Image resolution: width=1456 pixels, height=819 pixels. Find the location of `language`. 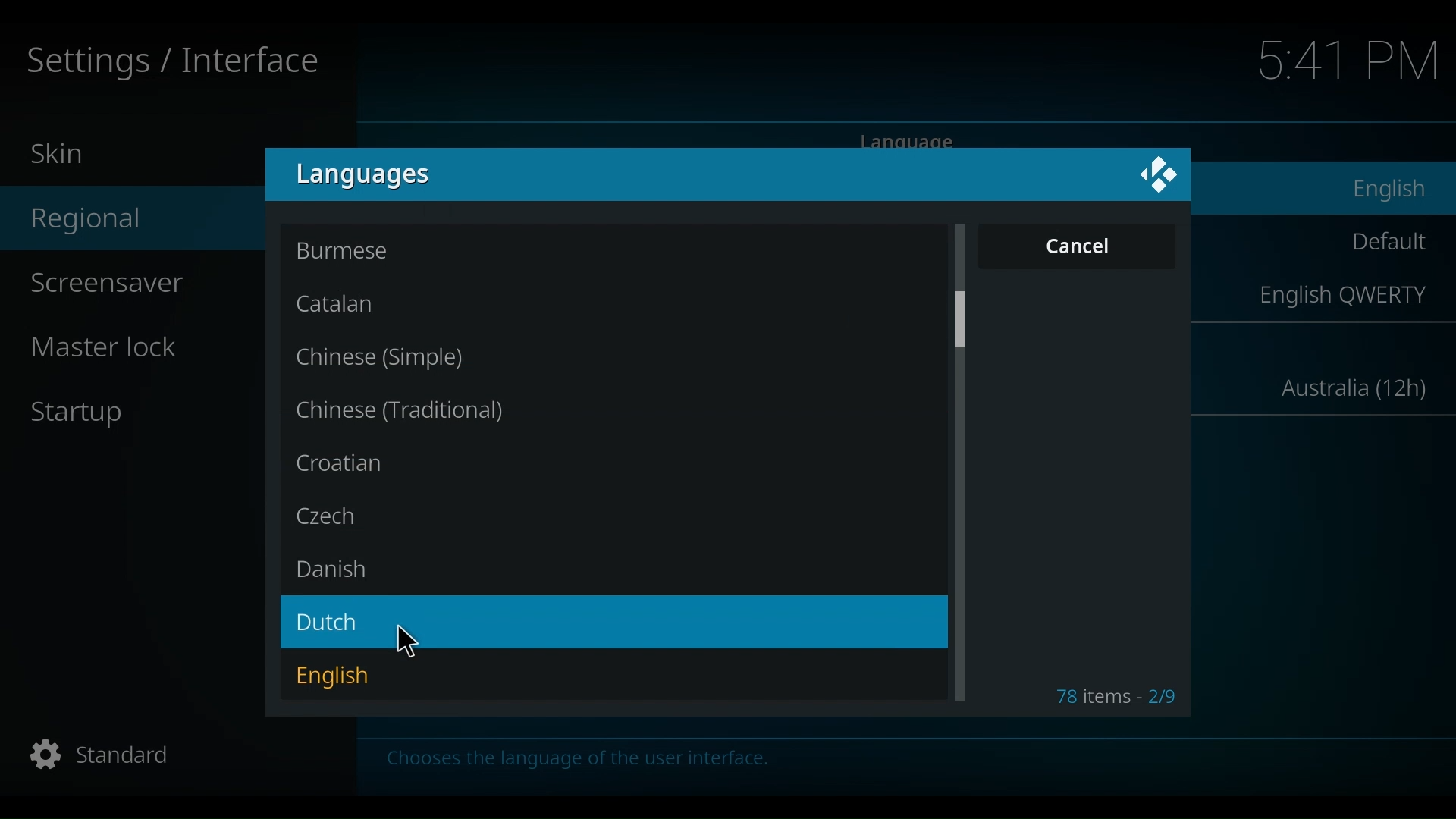

language is located at coordinates (924, 140).